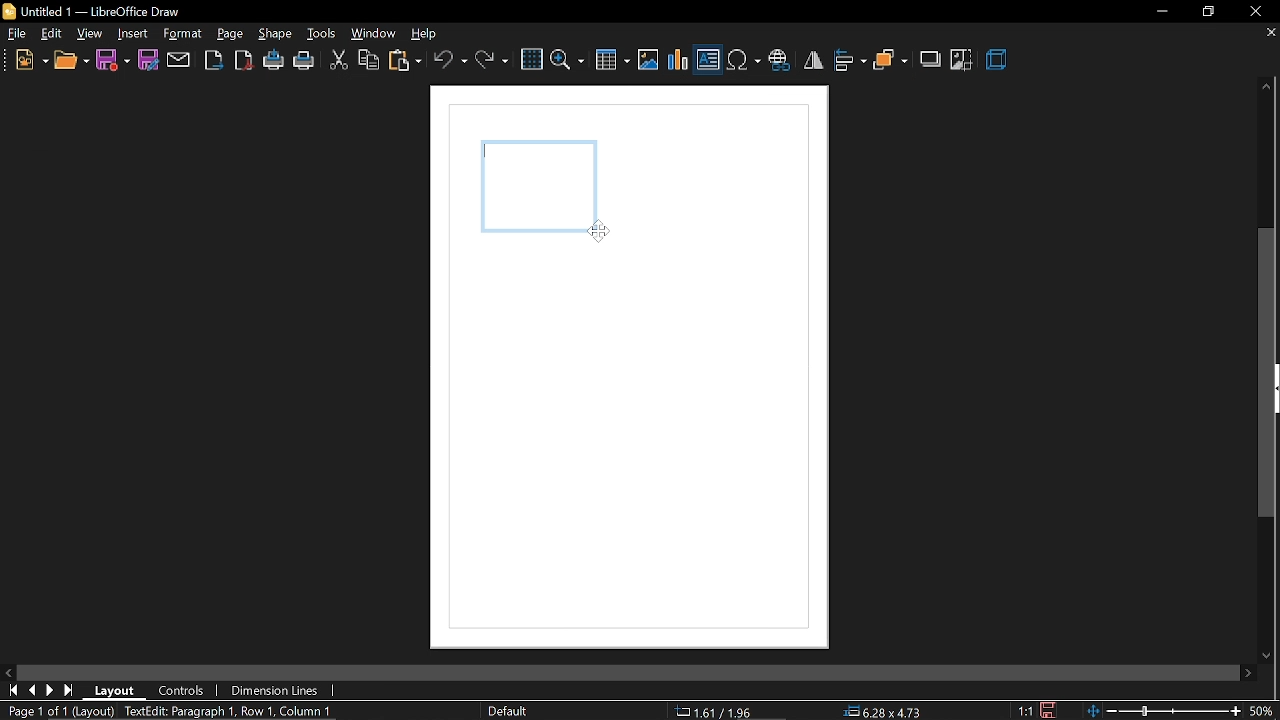  What do you see at coordinates (1208, 11) in the screenshot?
I see `restore down` at bounding box center [1208, 11].